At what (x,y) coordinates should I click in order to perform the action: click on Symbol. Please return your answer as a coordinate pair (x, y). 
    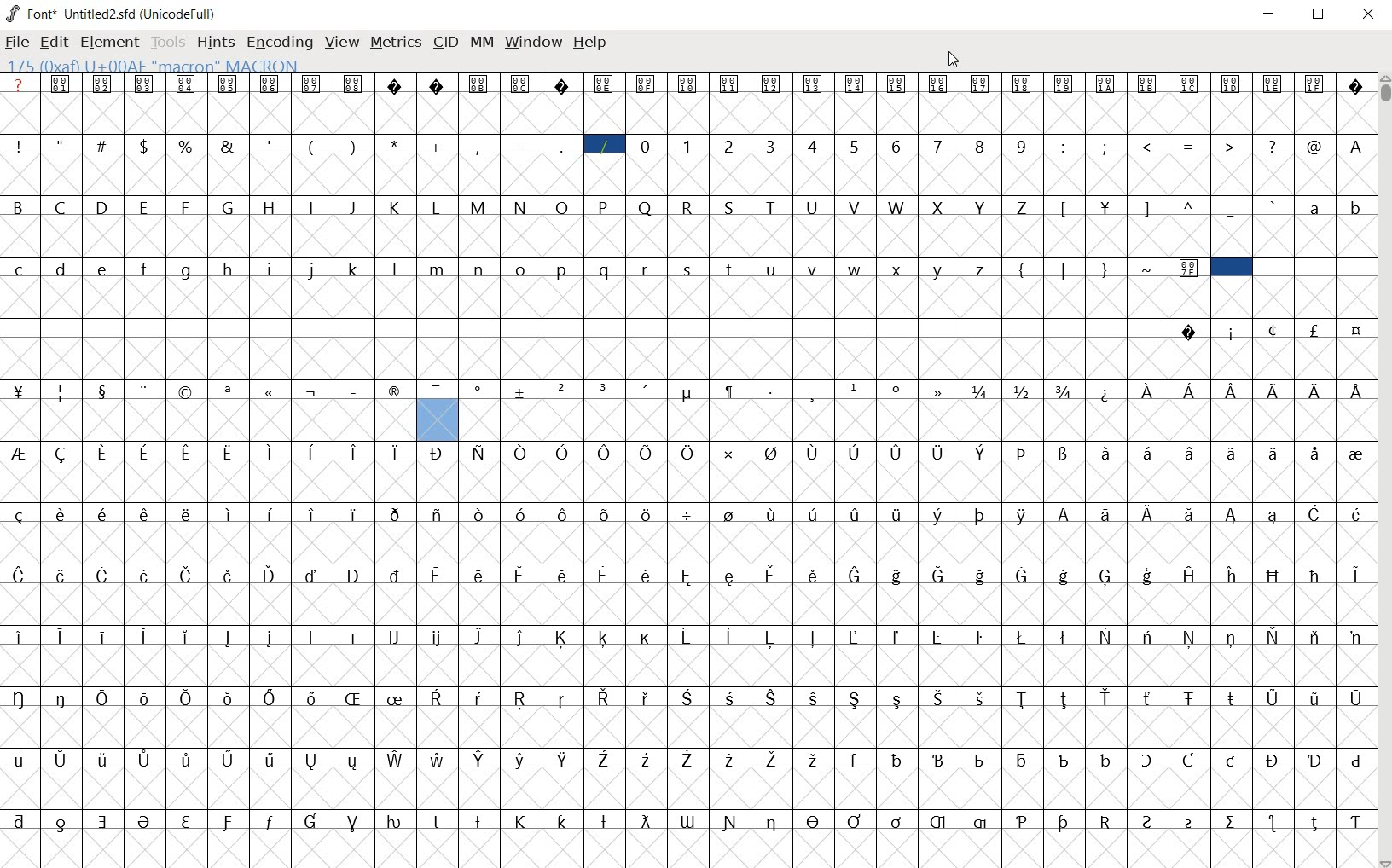
    Looking at the image, I should click on (897, 453).